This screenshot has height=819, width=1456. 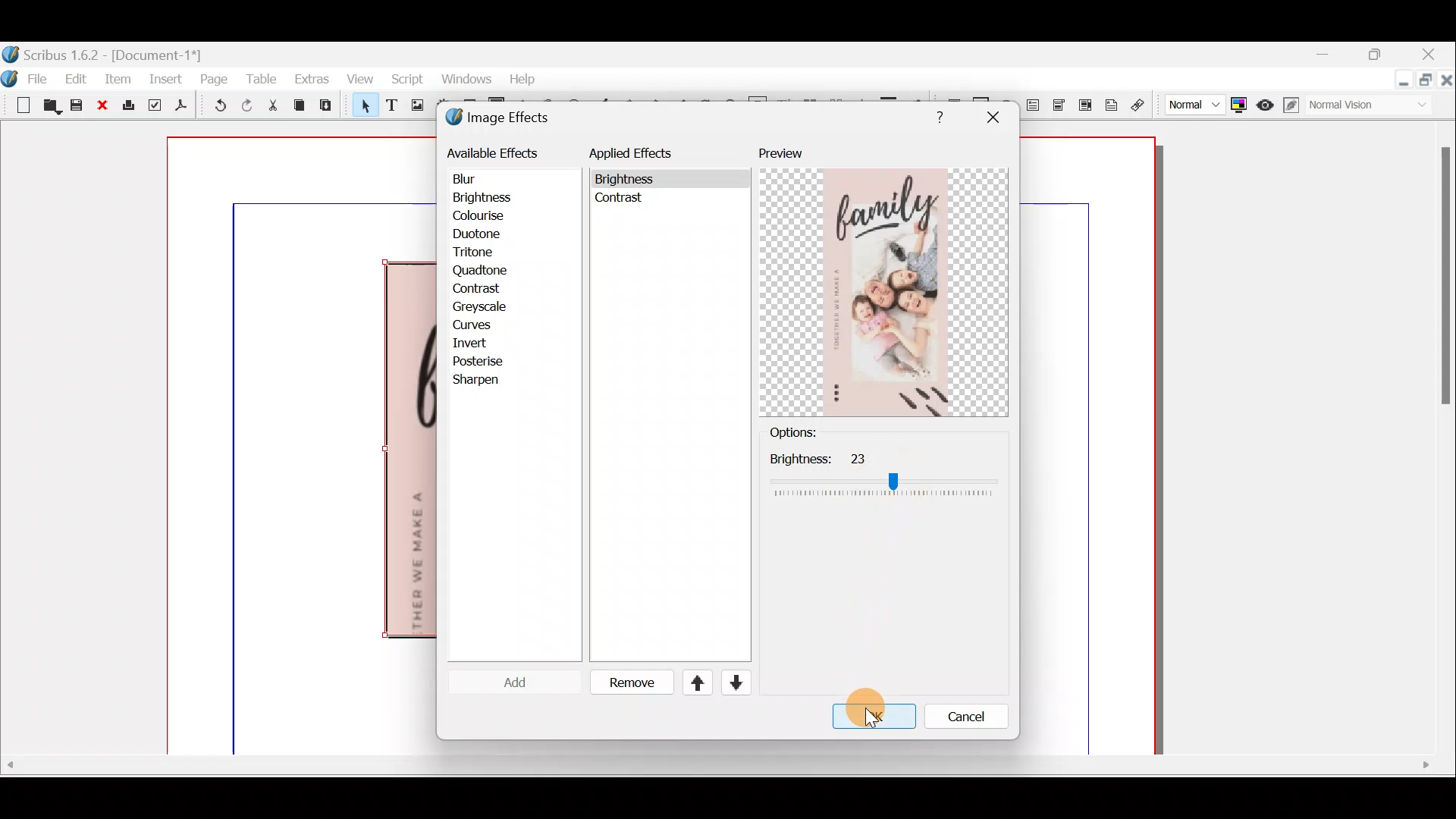 What do you see at coordinates (102, 106) in the screenshot?
I see `Close` at bounding box center [102, 106].